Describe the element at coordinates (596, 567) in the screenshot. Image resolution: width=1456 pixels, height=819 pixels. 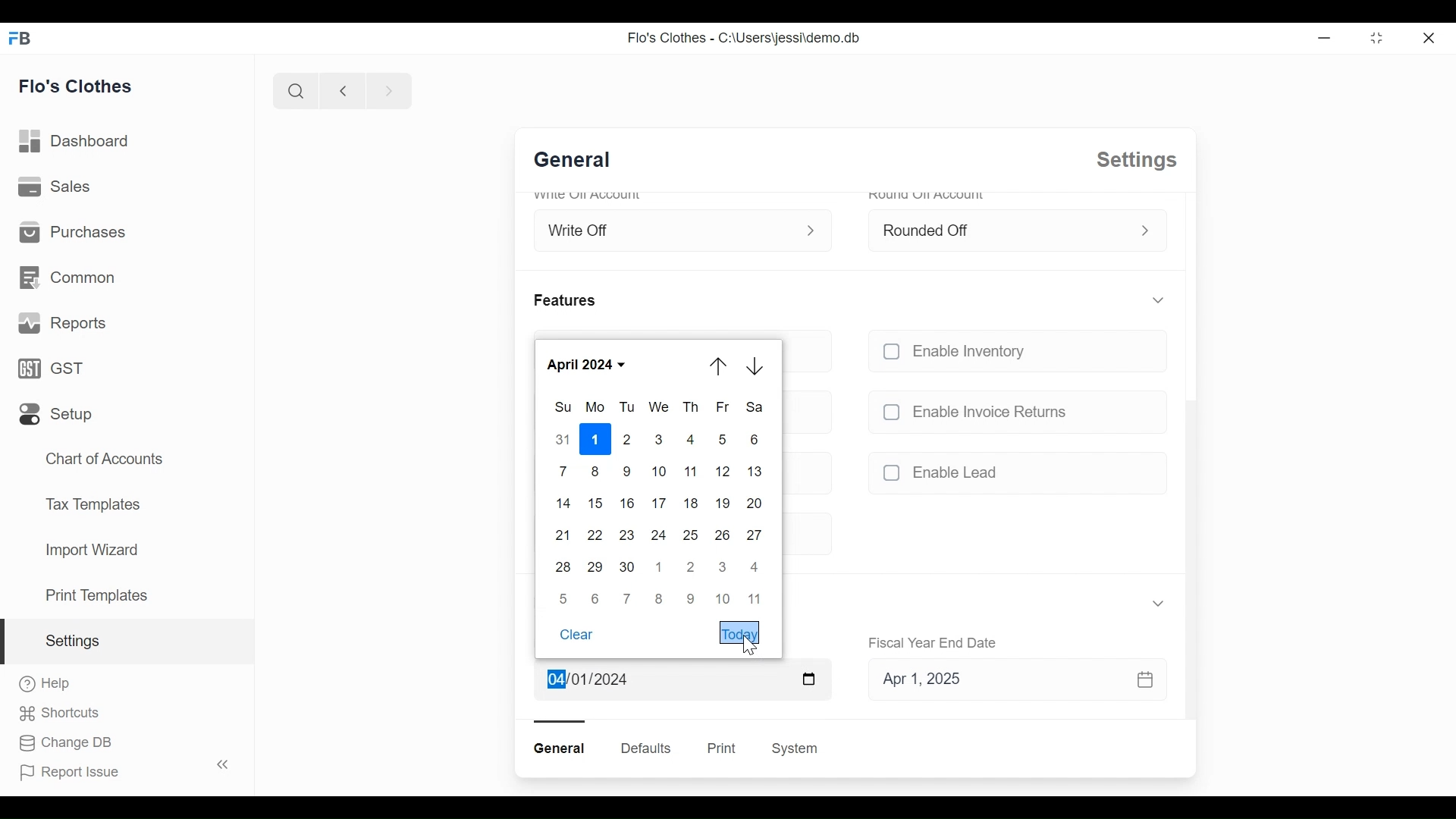
I see `29` at that location.